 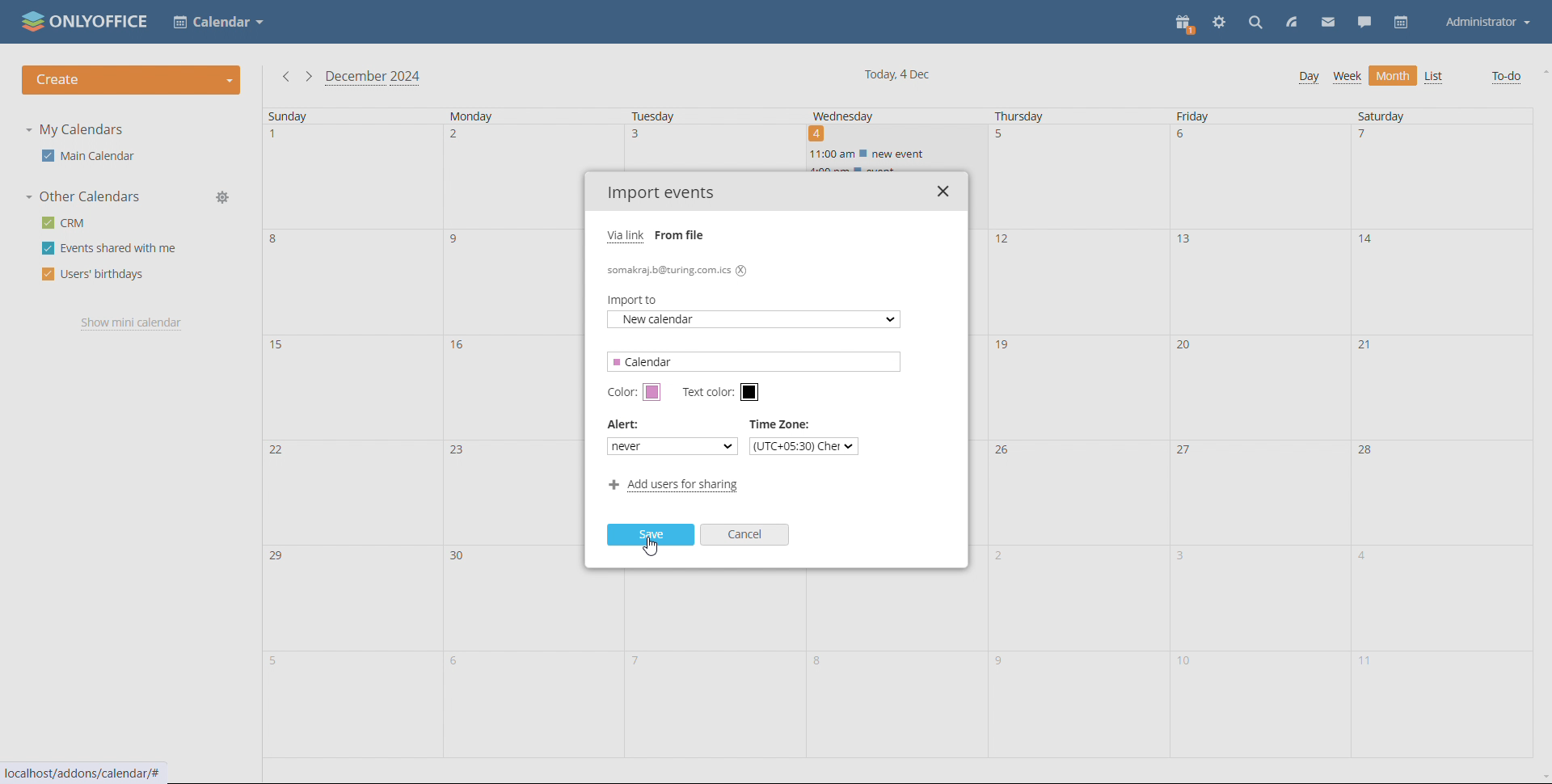 What do you see at coordinates (782, 424) in the screenshot?
I see `time zone:` at bounding box center [782, 424].